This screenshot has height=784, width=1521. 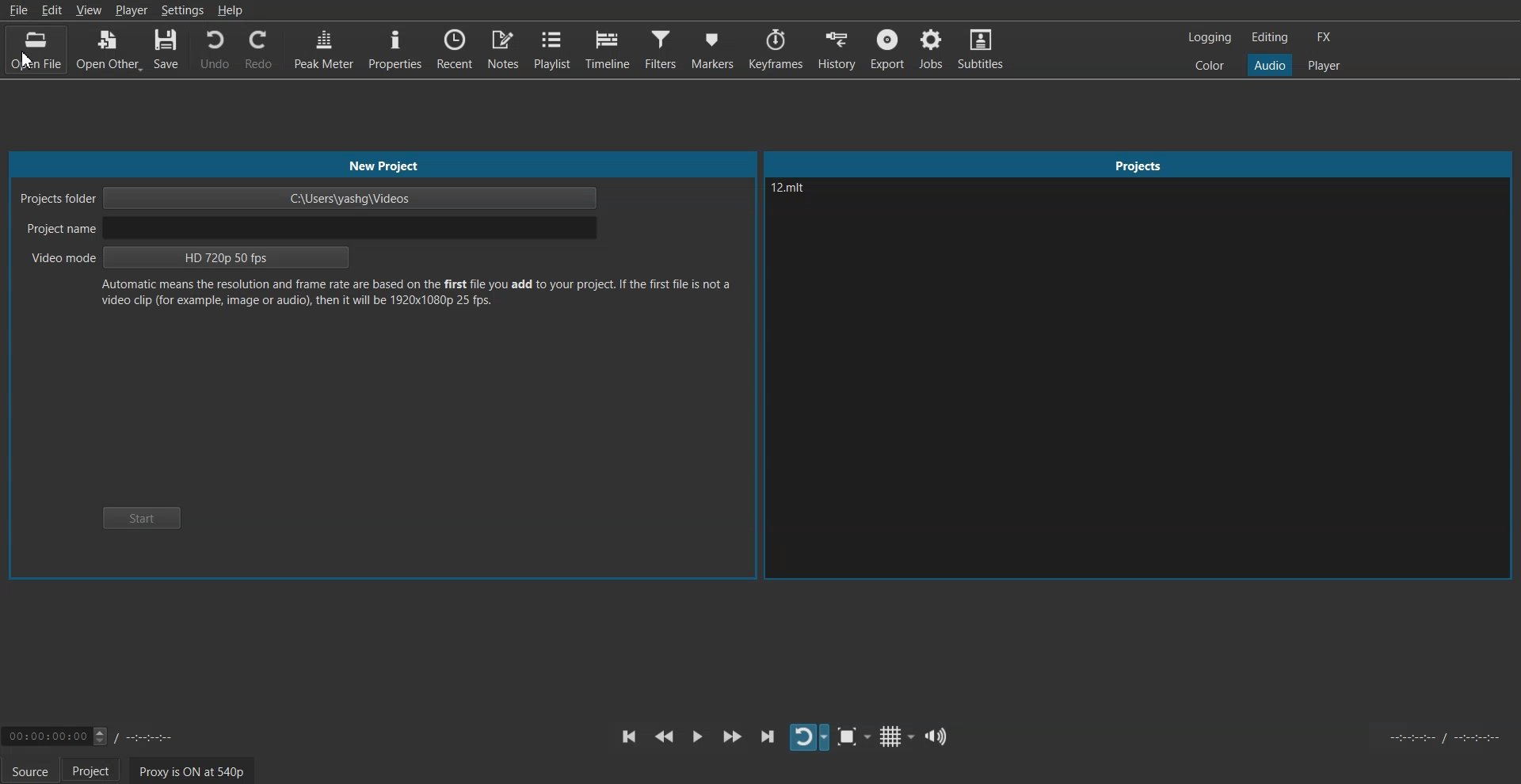 What do you see at coordinates (930, 49) in the screenshot?
I see `Jobs` at bounding box center [930, 49].